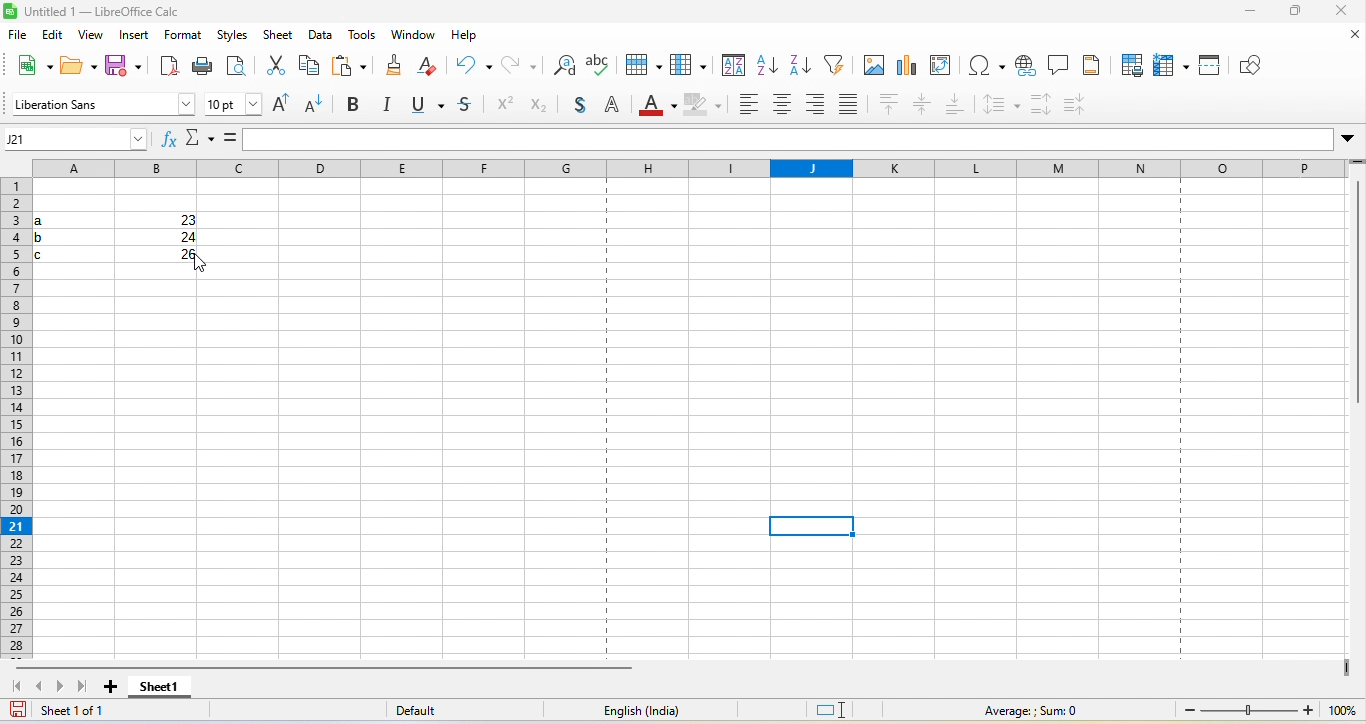 The image size is (1366, 724). I want to click on sheet 1 of 1, so click(94, 712).